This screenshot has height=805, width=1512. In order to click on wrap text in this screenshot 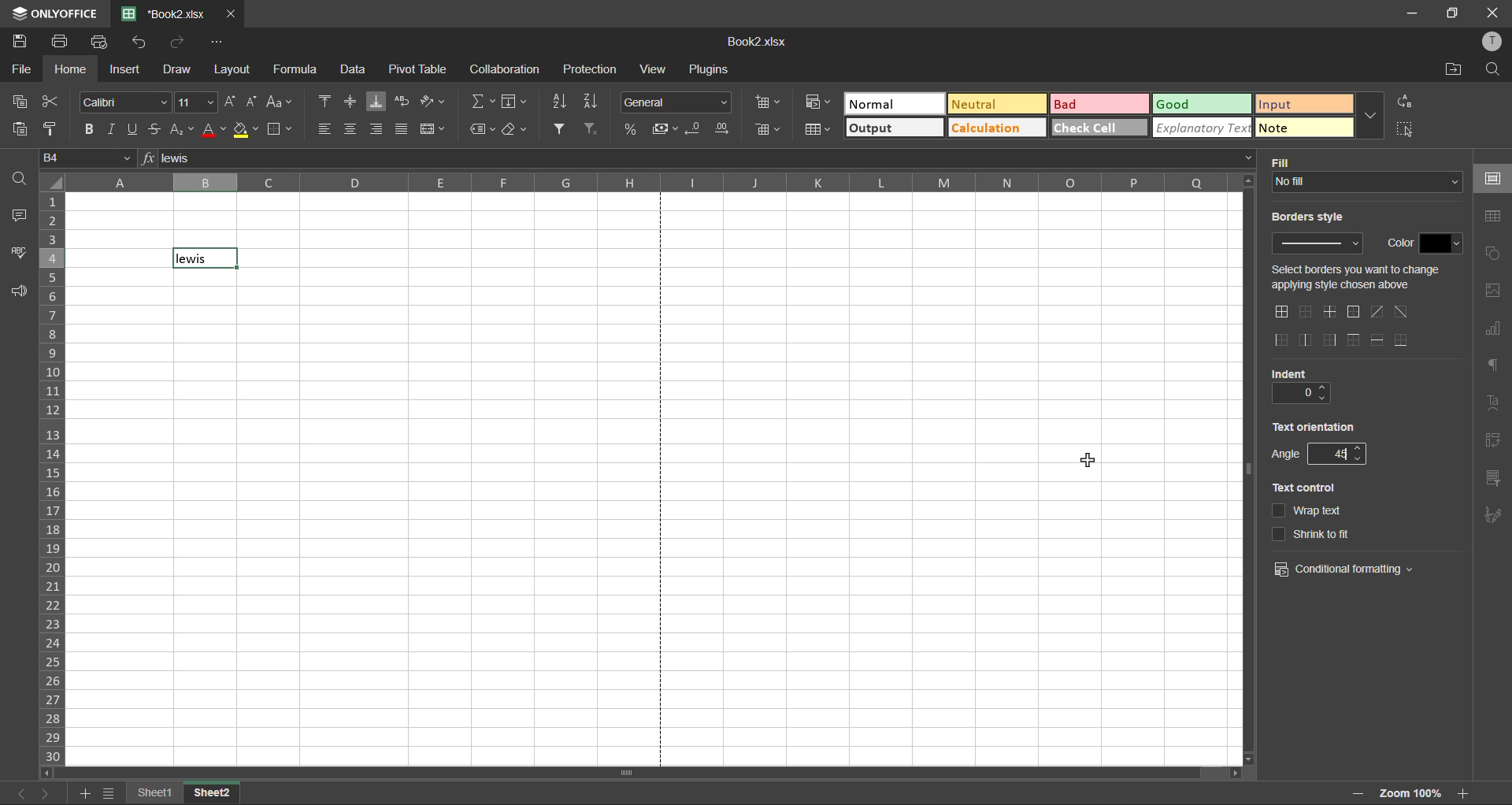, I will do `click(1310, 510)`.